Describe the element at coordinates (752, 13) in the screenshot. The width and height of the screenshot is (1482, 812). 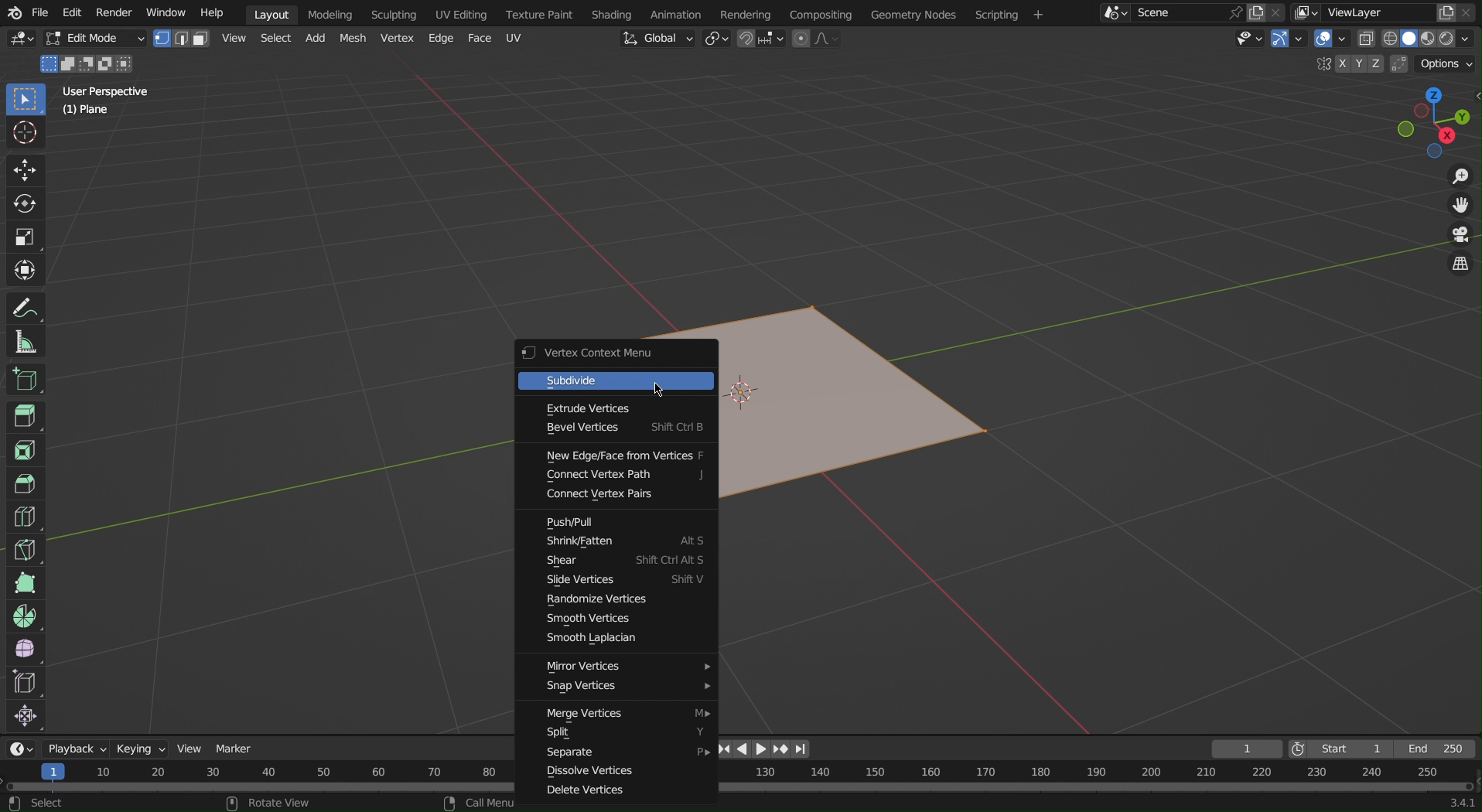
I see `Rendering` at that location.